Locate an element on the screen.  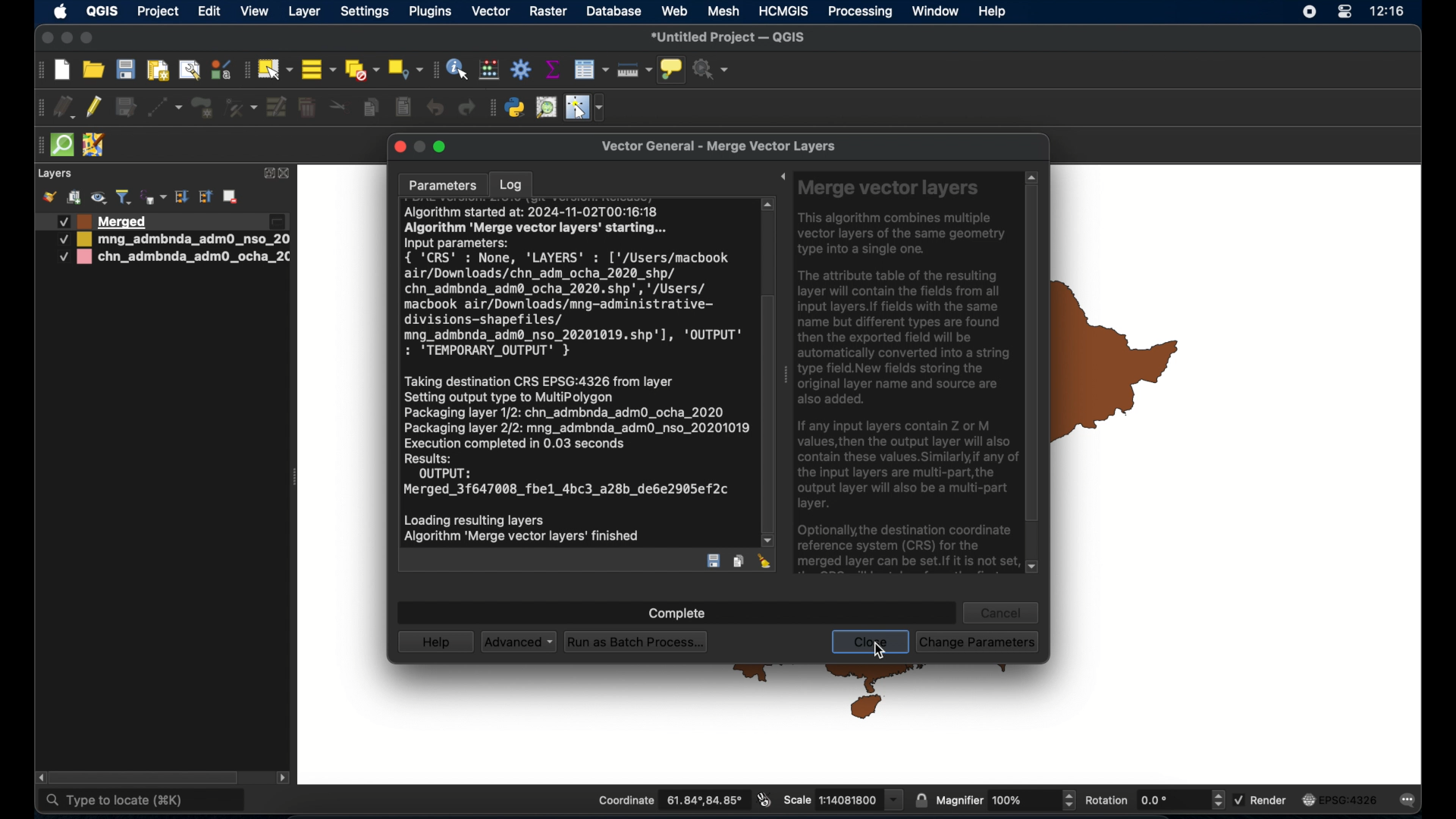
selection toolbar is located at coordinates (245, 70).